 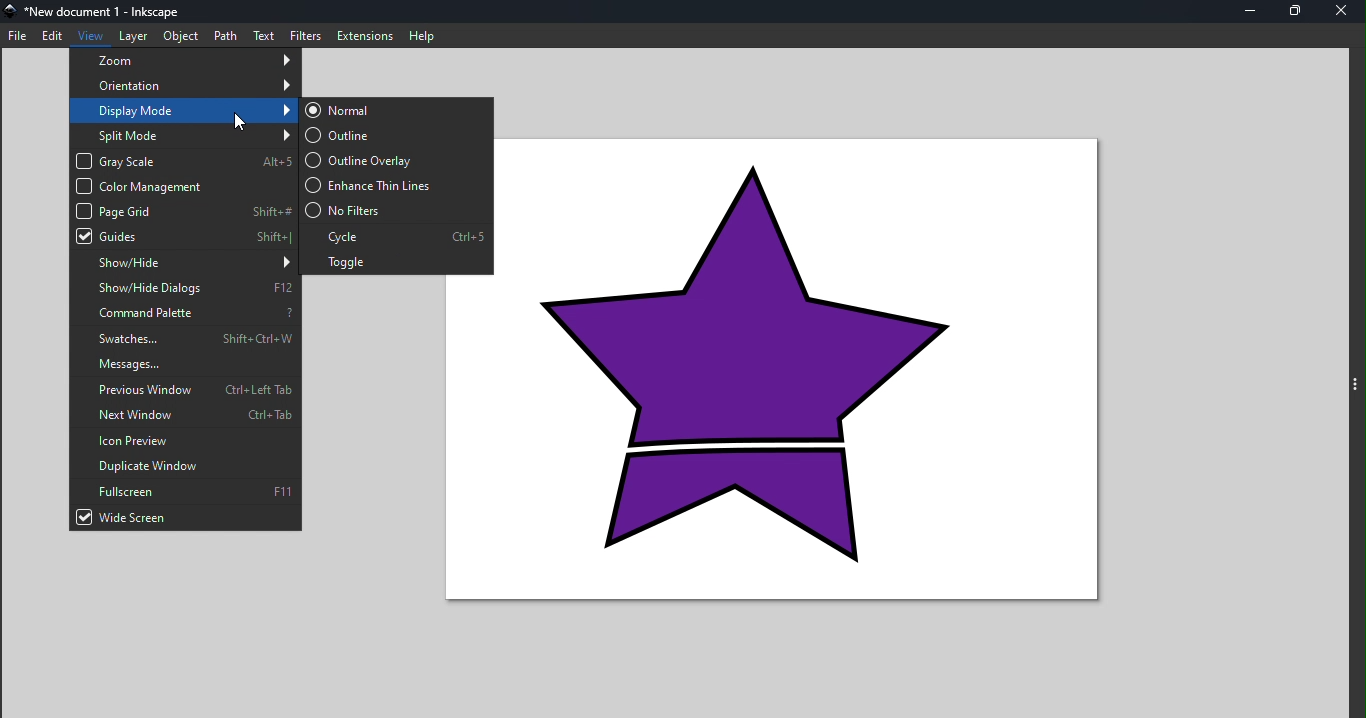 I want to click on Guides, so click(x=185, y=237).